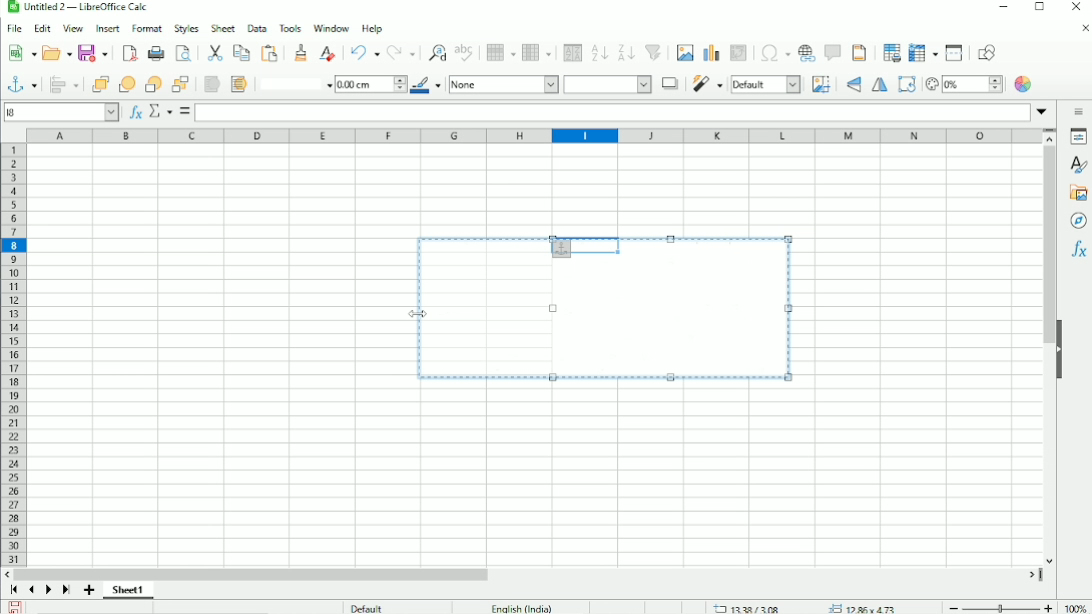  Describe the element at coordinates (237, 84) in the screenshot. I see `To background` at that location.